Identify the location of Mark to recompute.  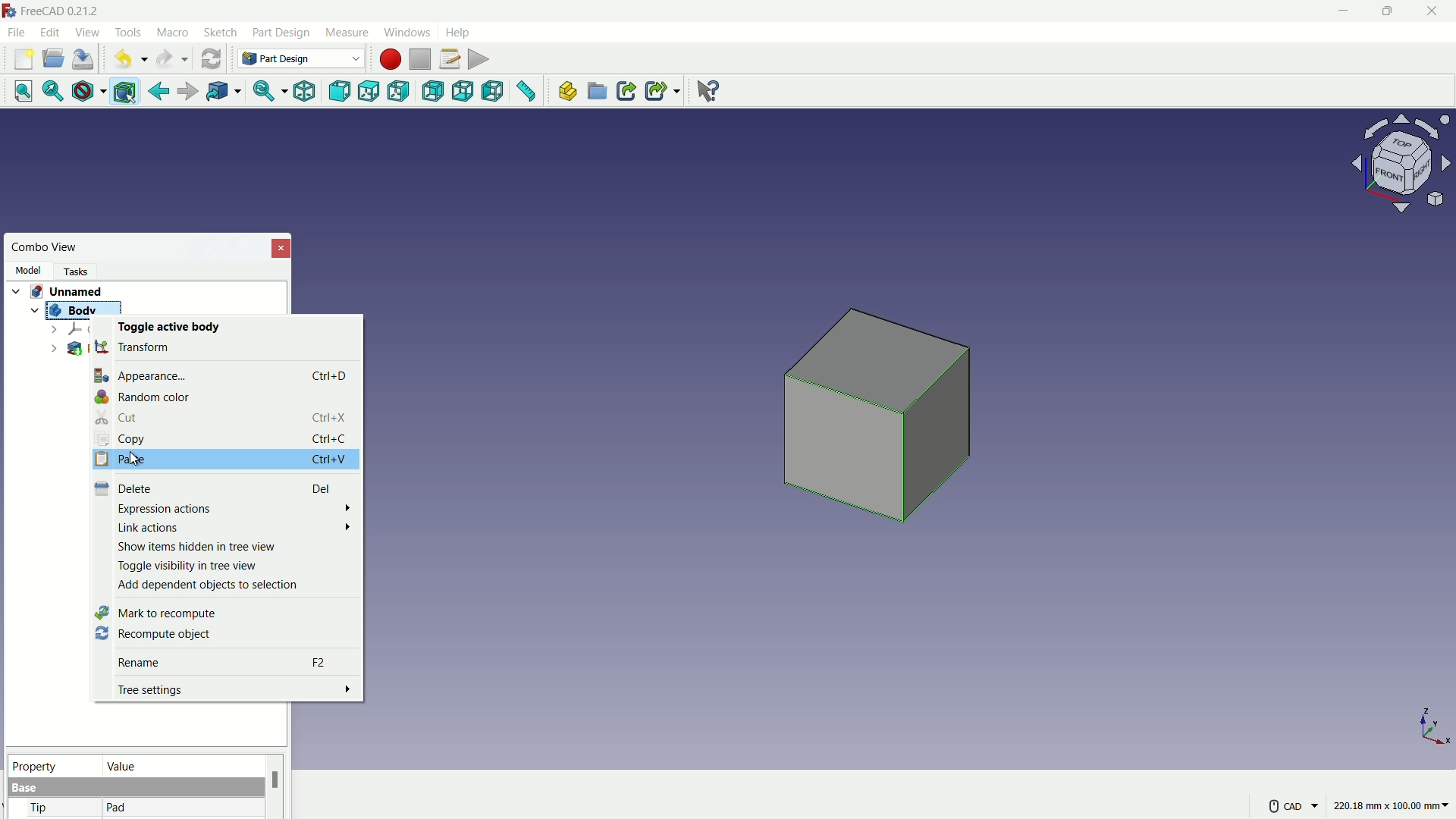
(155, 614).